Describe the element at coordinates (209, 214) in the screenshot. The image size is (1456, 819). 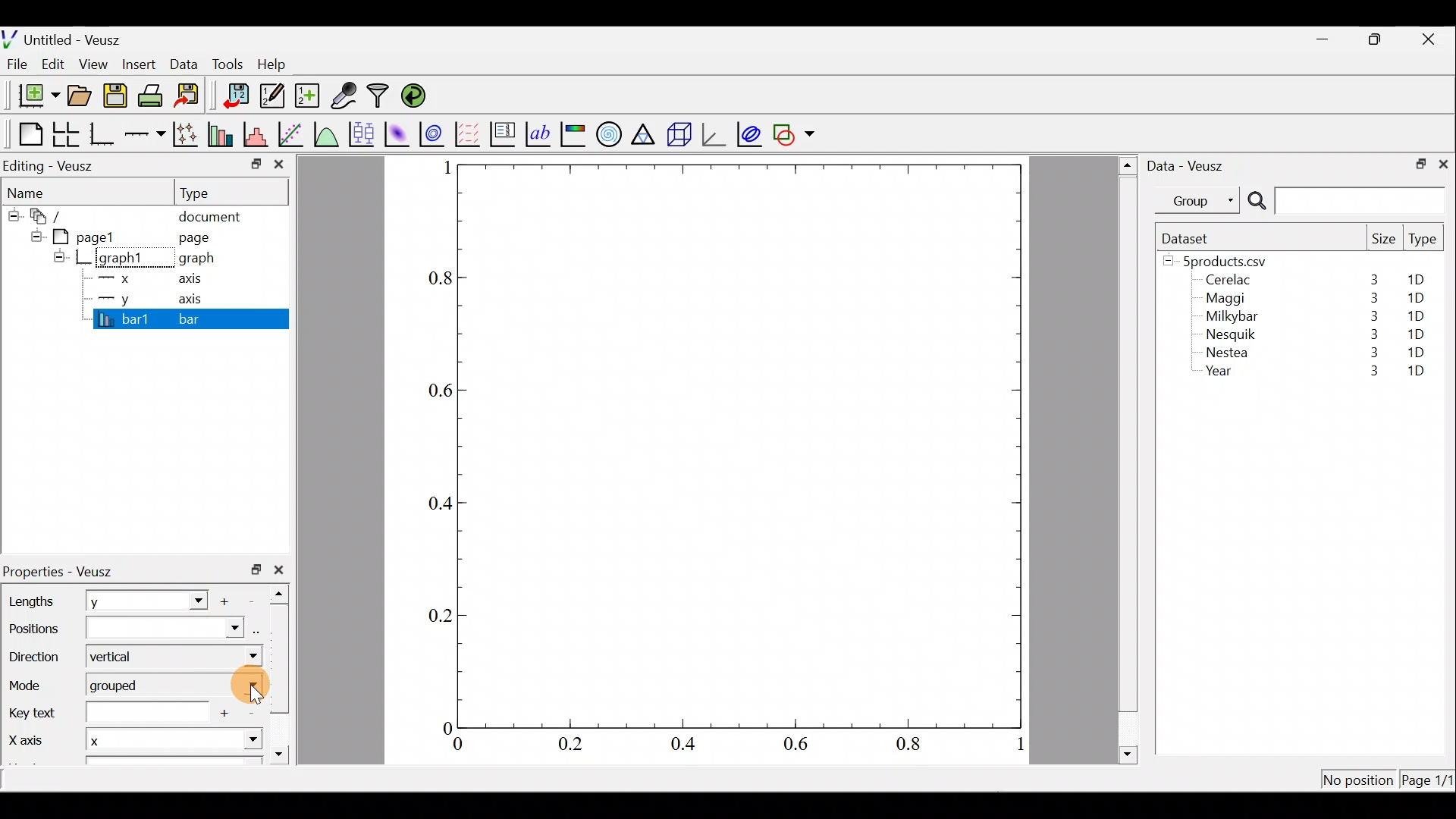
I see `document` at that location.